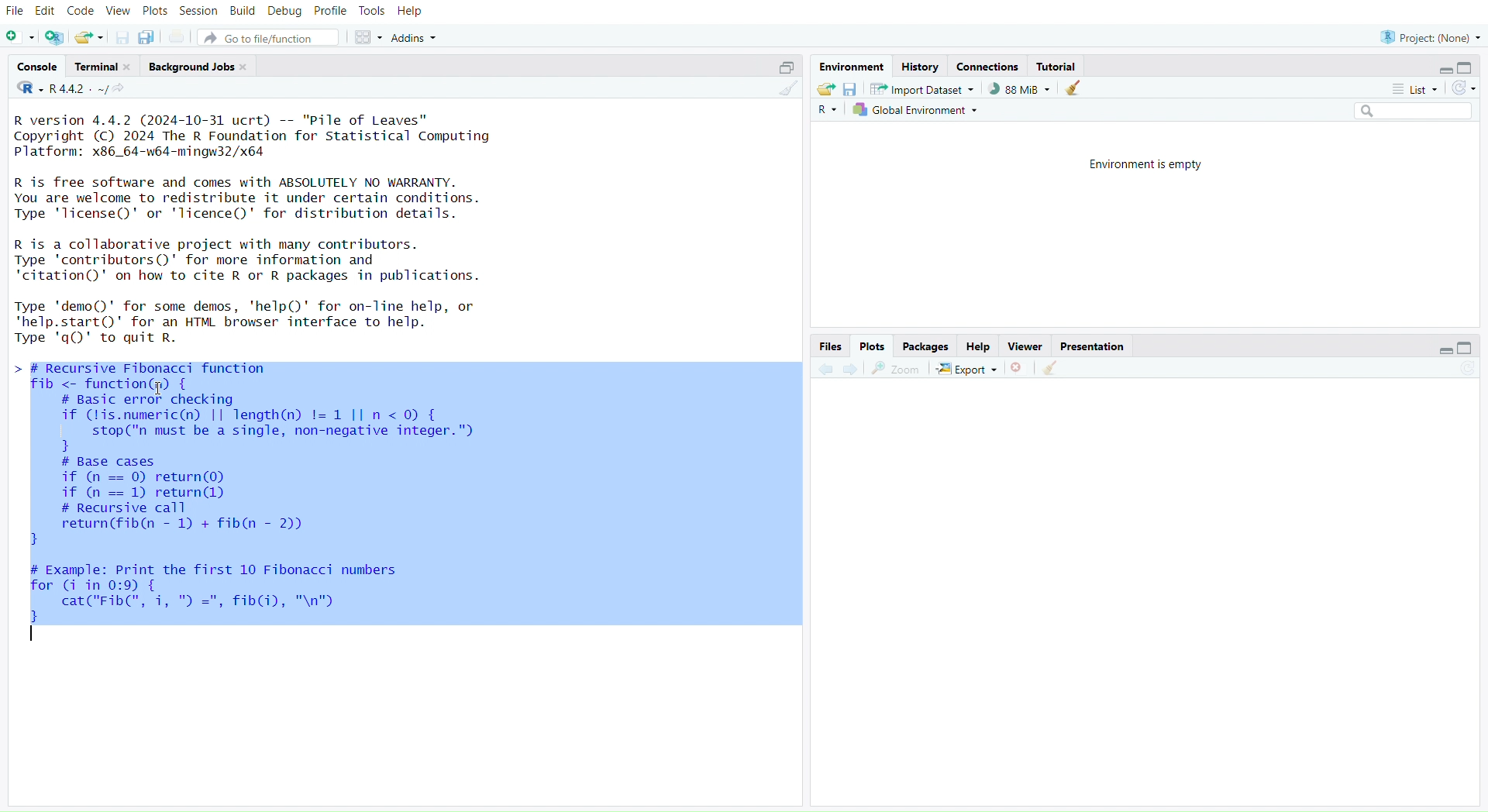  I want to click on edit, so click(48, 12).